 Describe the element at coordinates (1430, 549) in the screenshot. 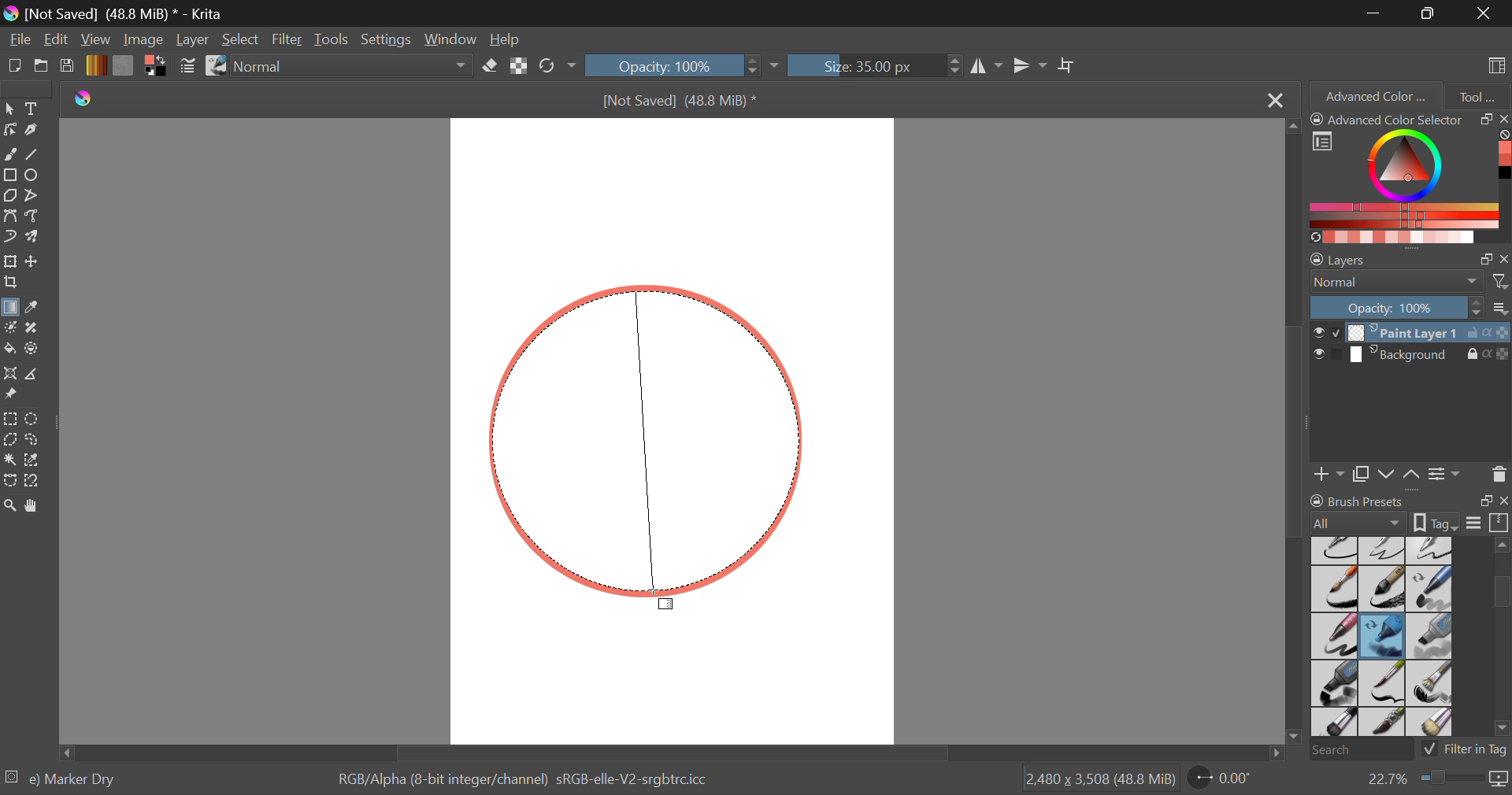

I see `Ink-4 Pen Rough` at that location.